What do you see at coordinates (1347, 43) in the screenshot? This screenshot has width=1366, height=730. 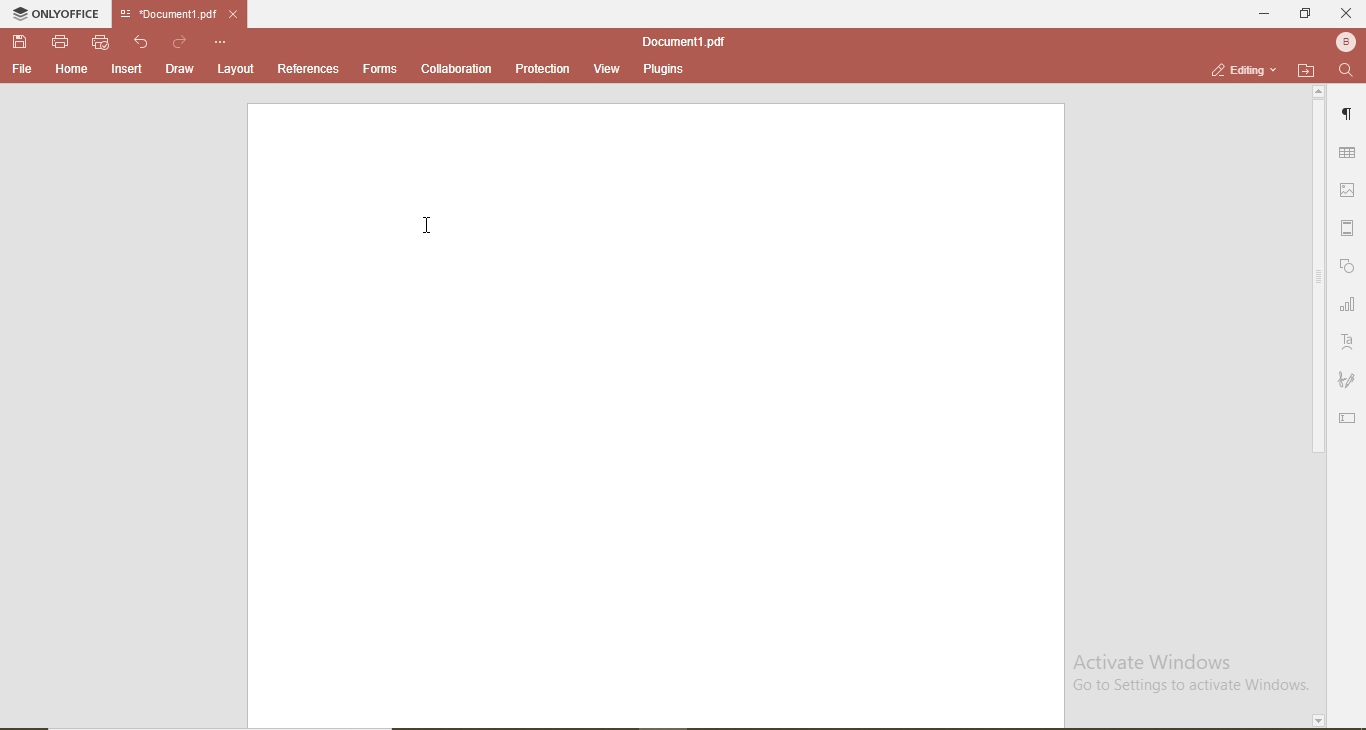 I see `profile` at bounding box center [1347, 43].